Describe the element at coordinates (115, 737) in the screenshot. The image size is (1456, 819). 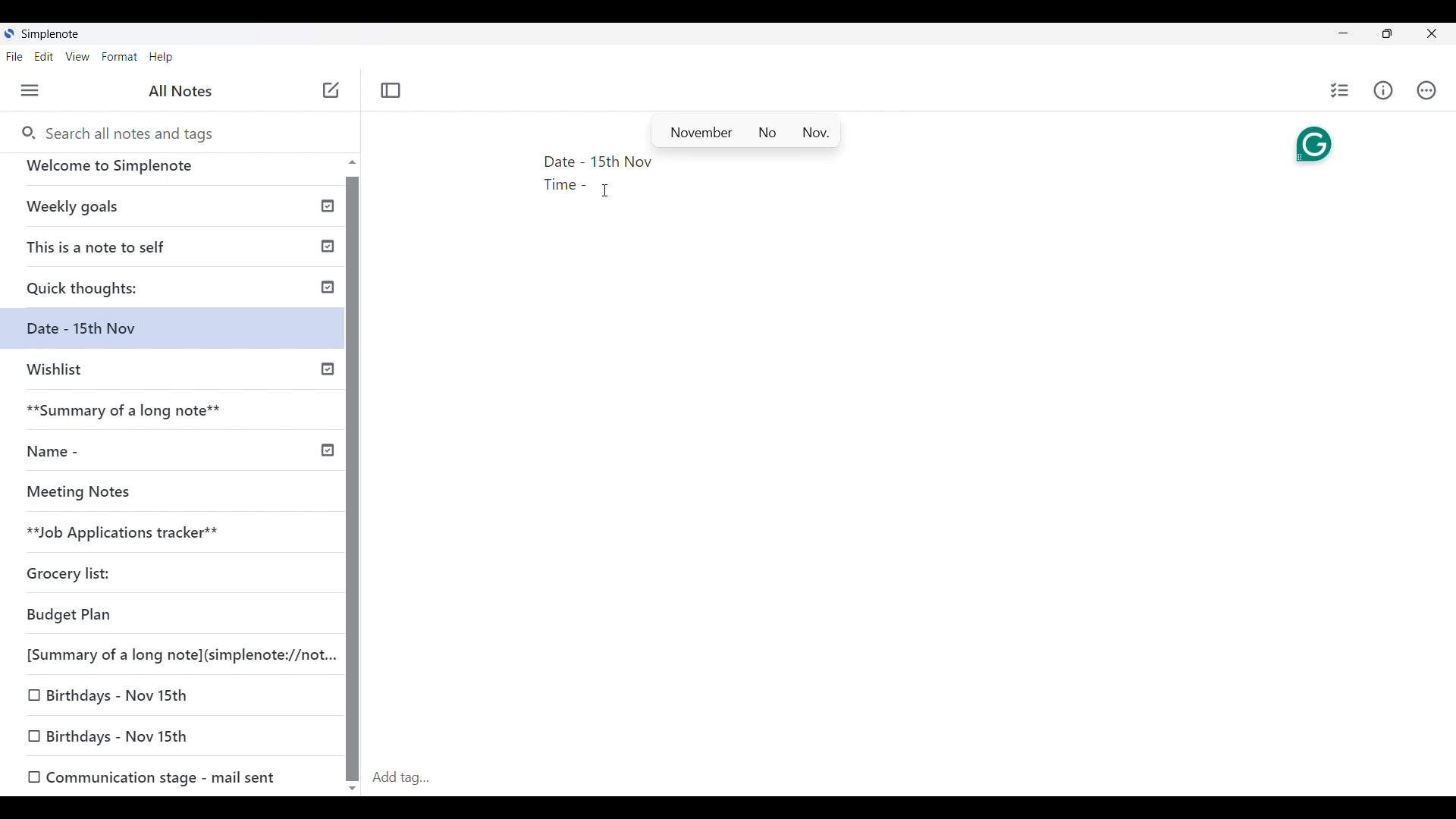
I see `Unpublished note` at that location.